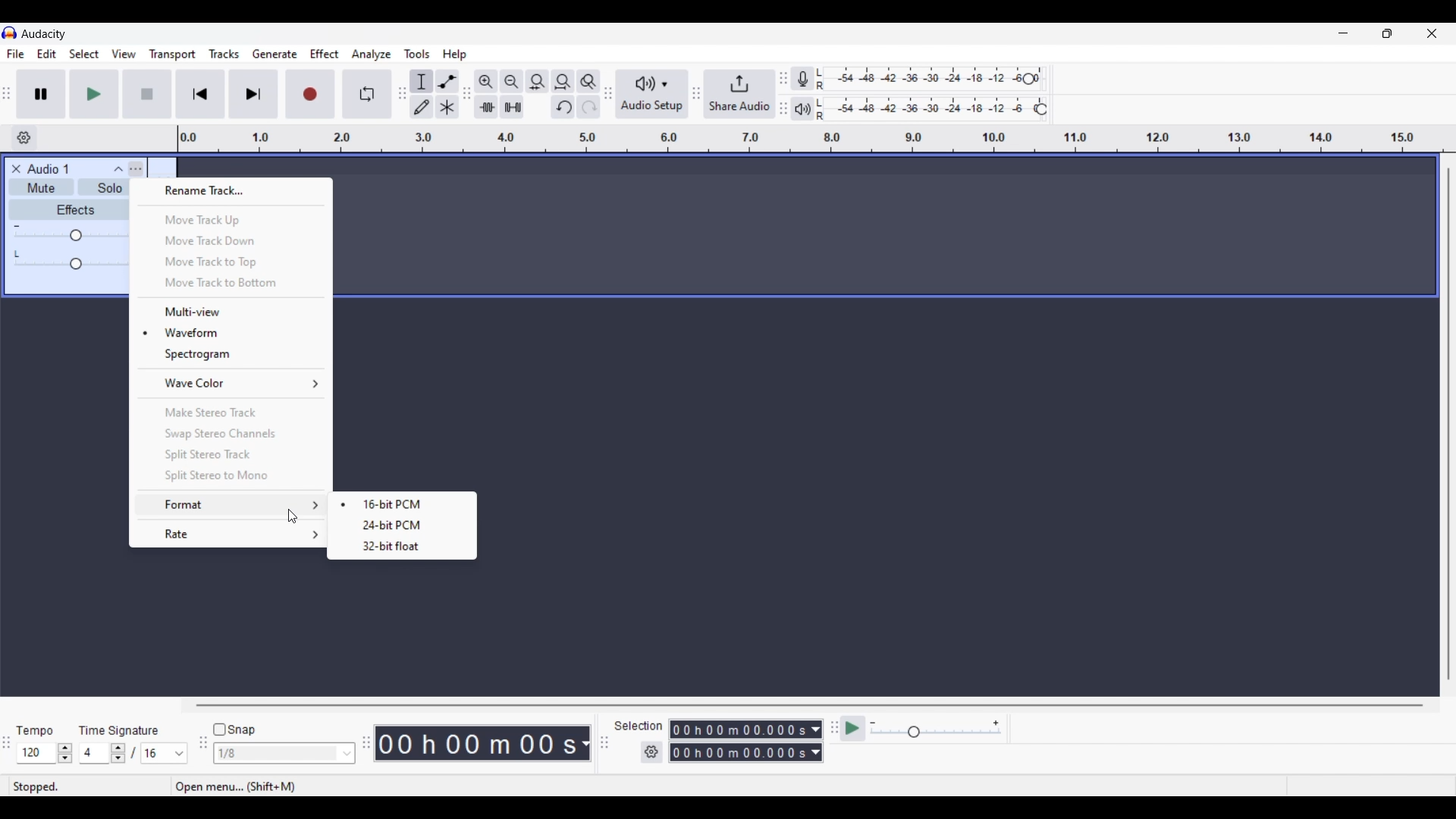  What do you see at coordinates (231, 240) in the screenshot?
I see `Move track down` at bounding box center [231, 240].